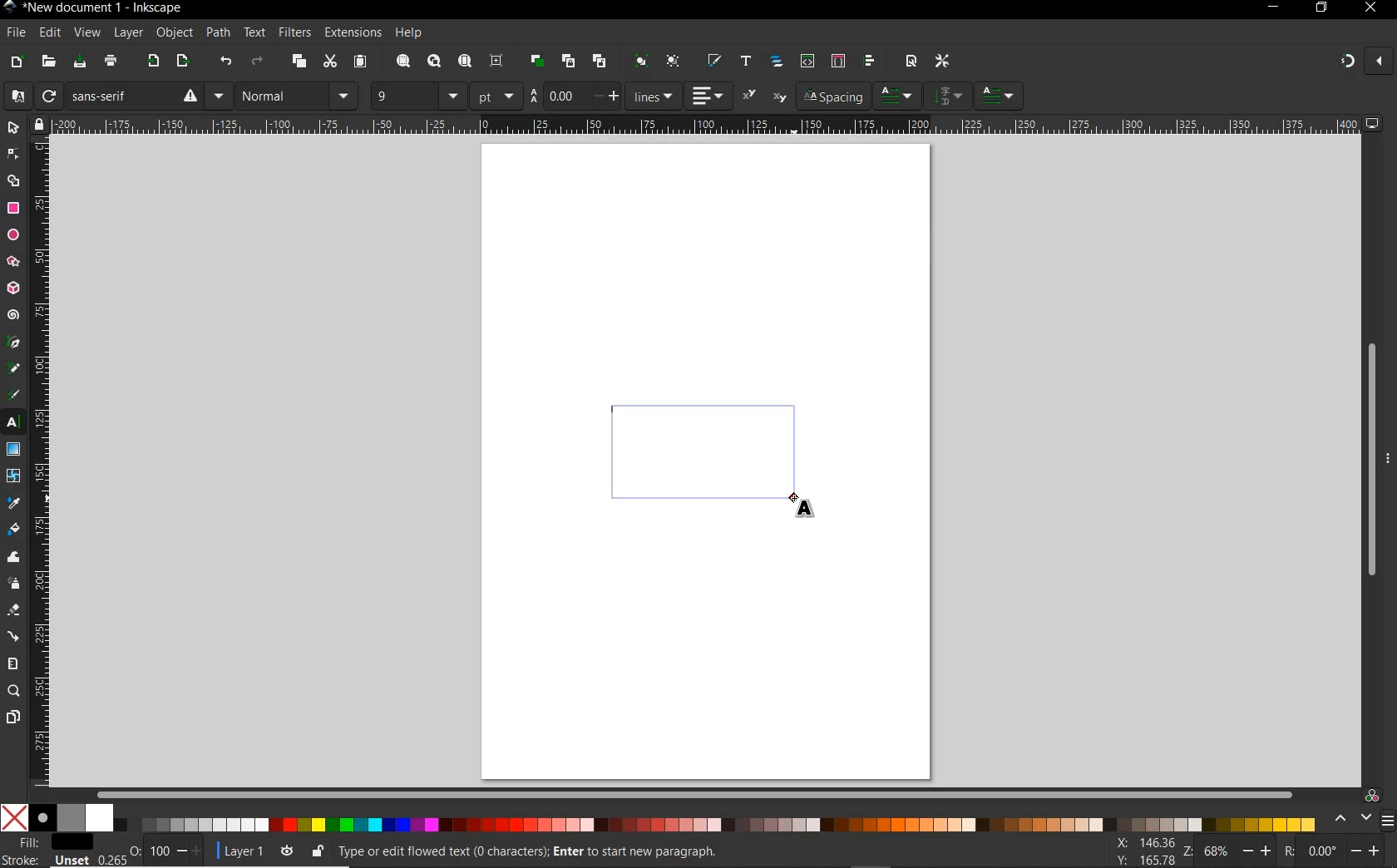  I want to click on object, so click(172, 33).